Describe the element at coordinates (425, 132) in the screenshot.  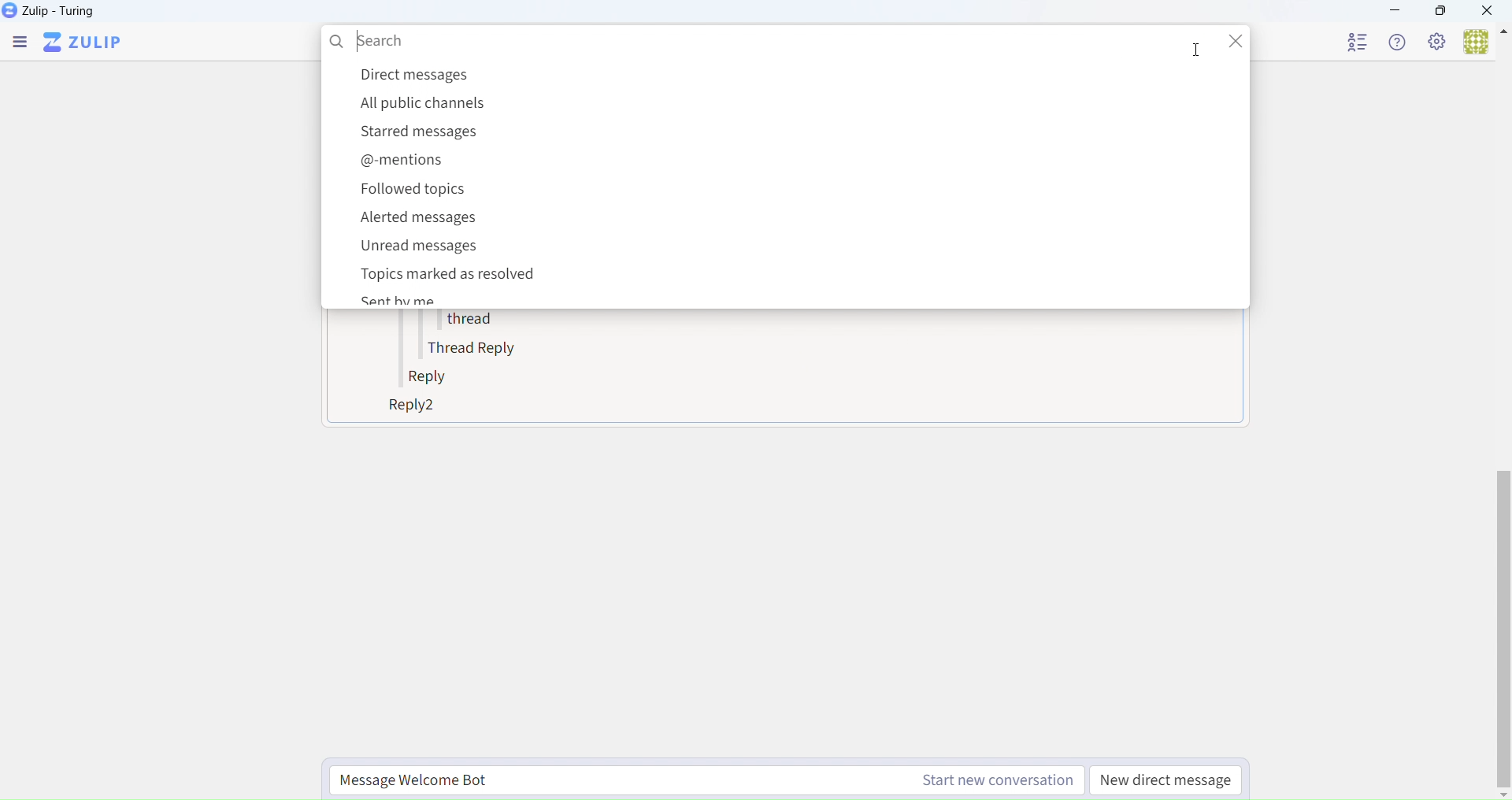
I see `Starred messages` at that location.